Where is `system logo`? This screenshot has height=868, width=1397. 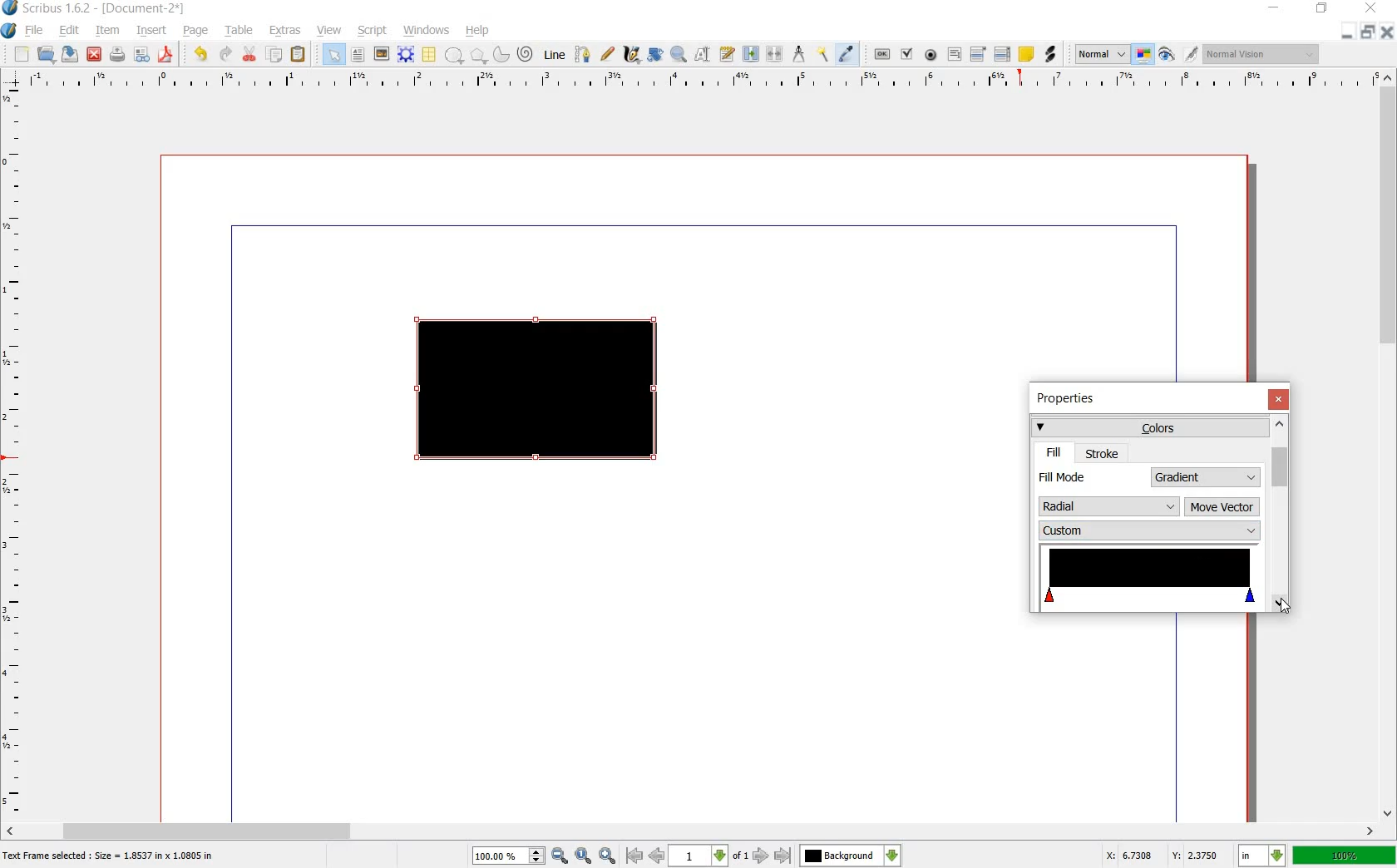 system logo is located at coordinates (8, 31).